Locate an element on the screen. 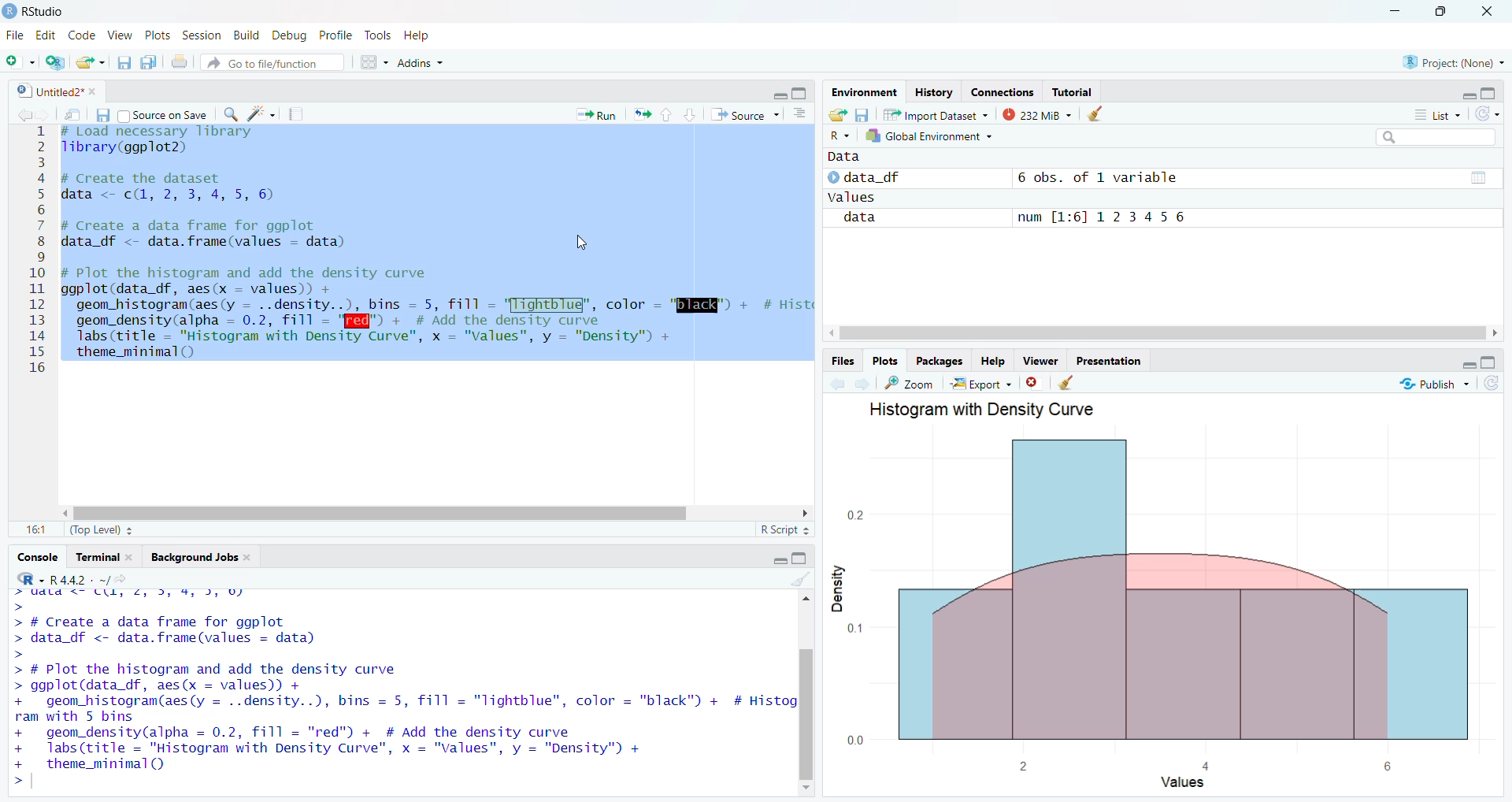  maximize is located at coordinates (1443, 12).